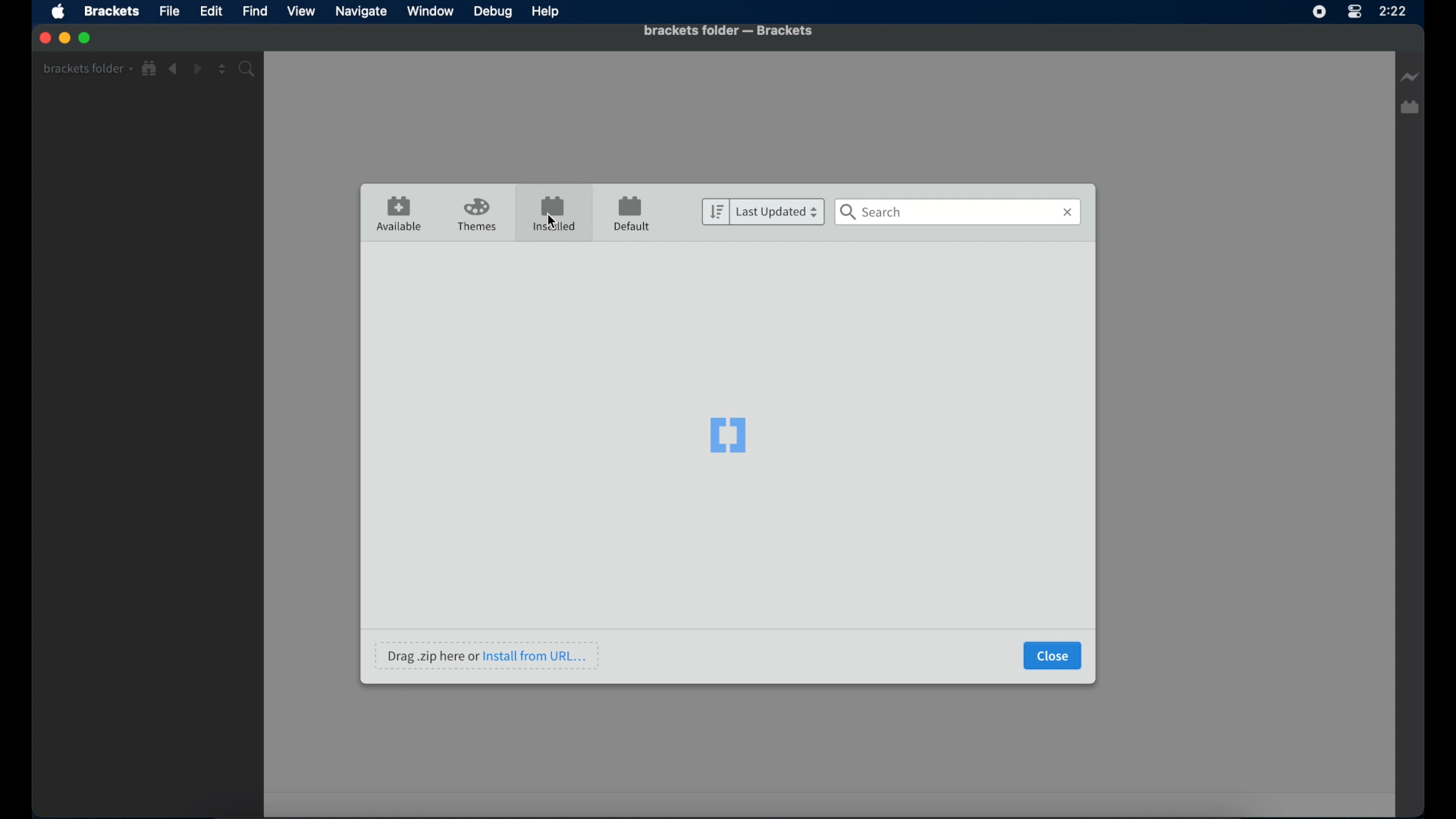 The width and height of the screenshot is (1456, 819). Describe the element at coordinates (301, 11) in the screenshot. I see `view` at that location.